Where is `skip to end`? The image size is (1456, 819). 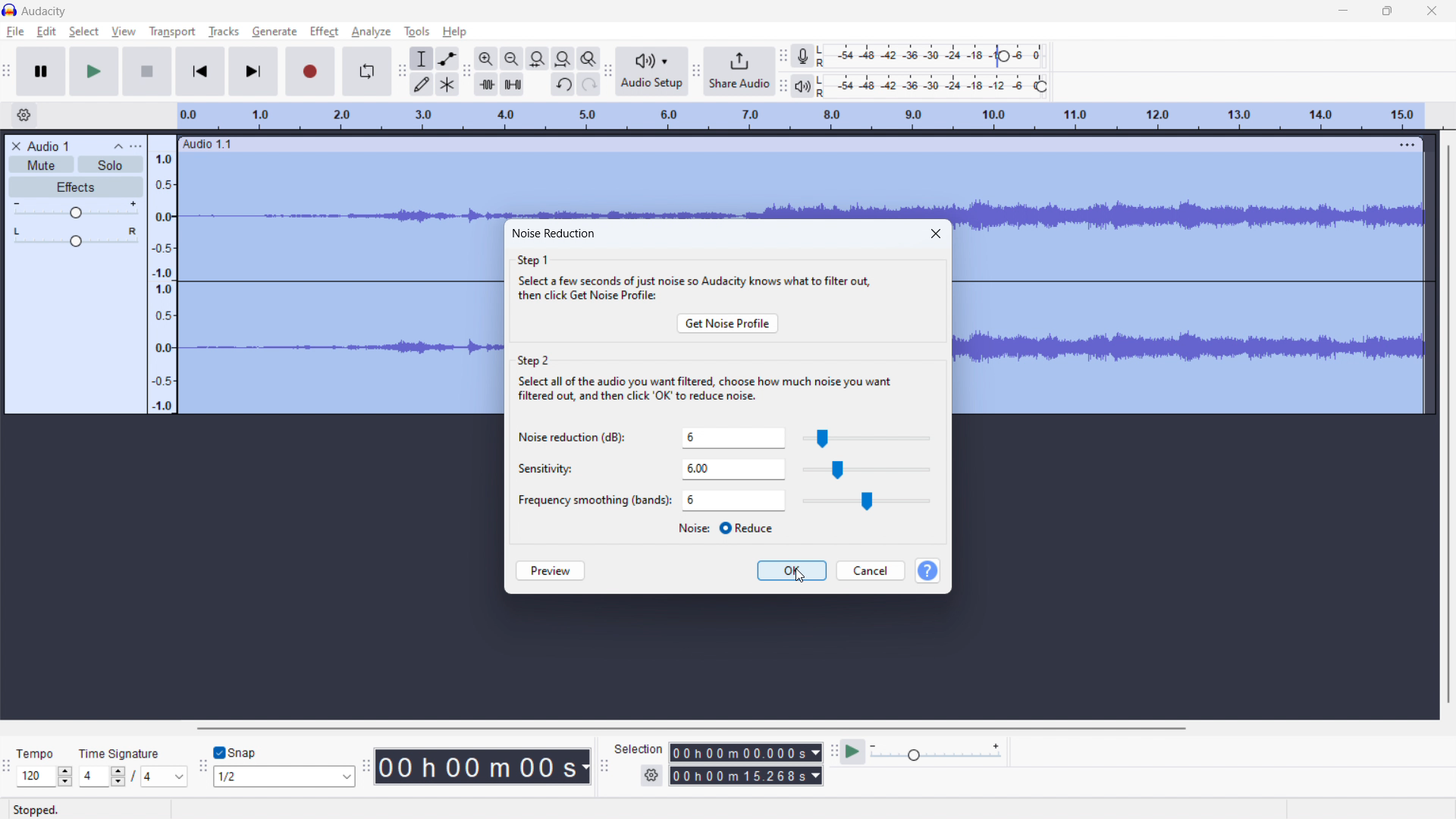 skip to end is located at coordinates (253, 71).